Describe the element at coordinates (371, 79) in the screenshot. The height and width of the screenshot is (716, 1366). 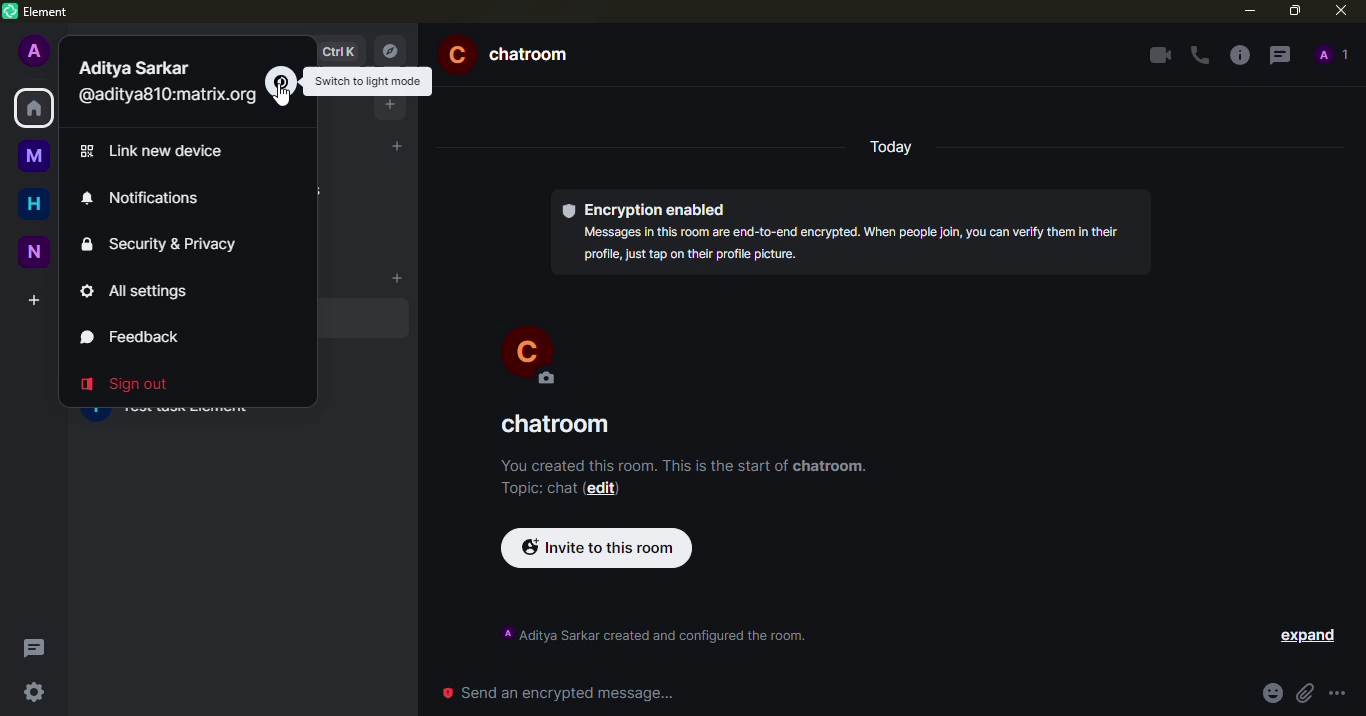
I see `switch to light mode` at that location.